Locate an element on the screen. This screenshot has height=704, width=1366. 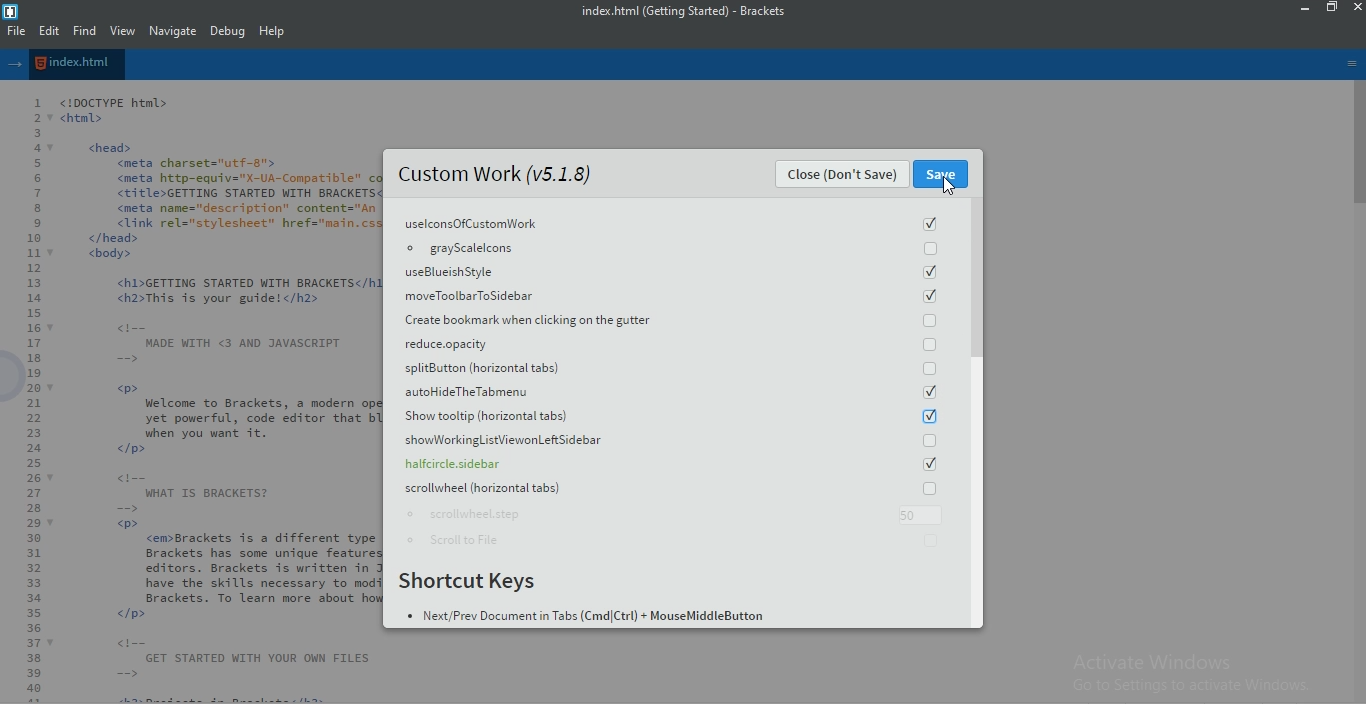
edit is located at coordinates (48, 31).